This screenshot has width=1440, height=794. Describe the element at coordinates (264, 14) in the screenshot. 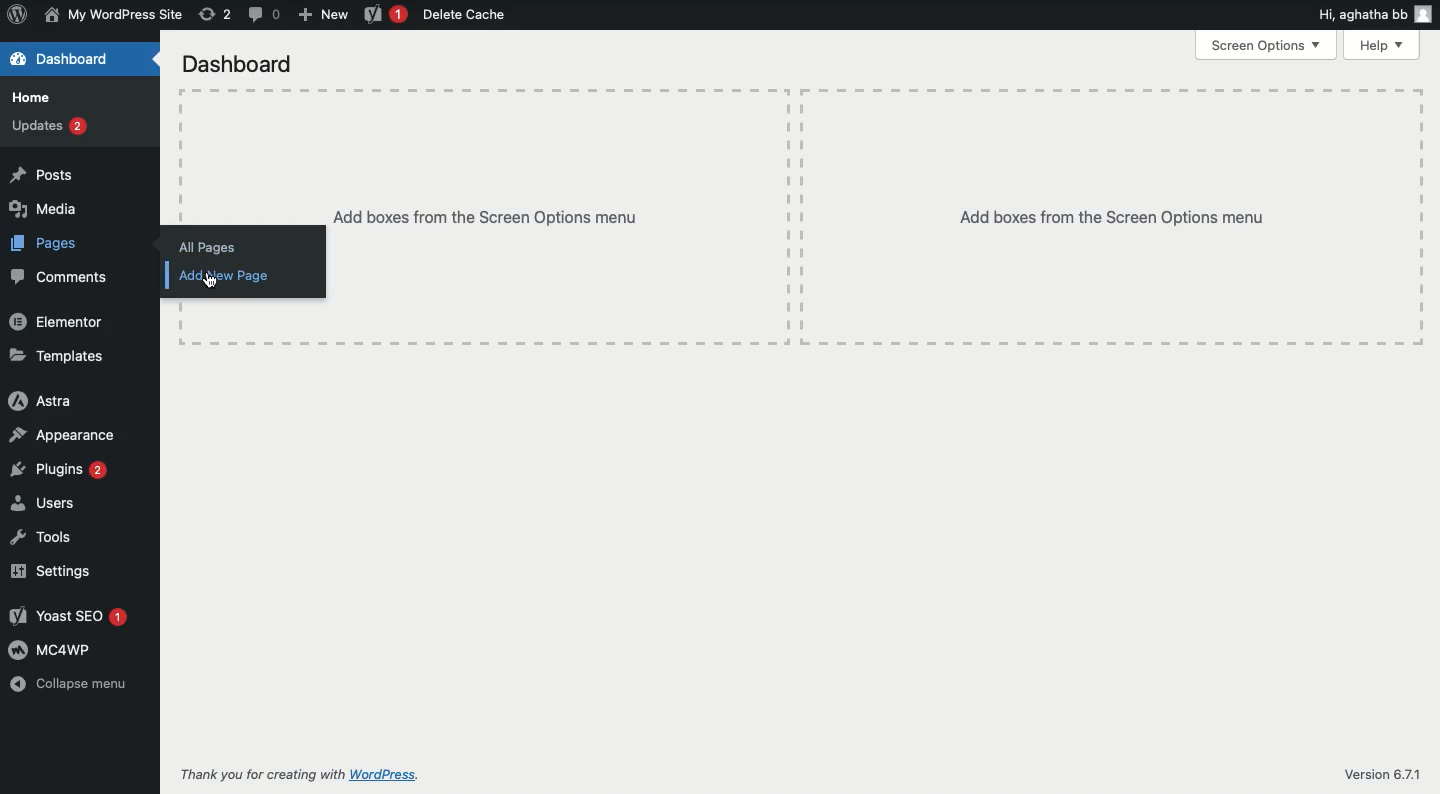

I see `Message` at that location.